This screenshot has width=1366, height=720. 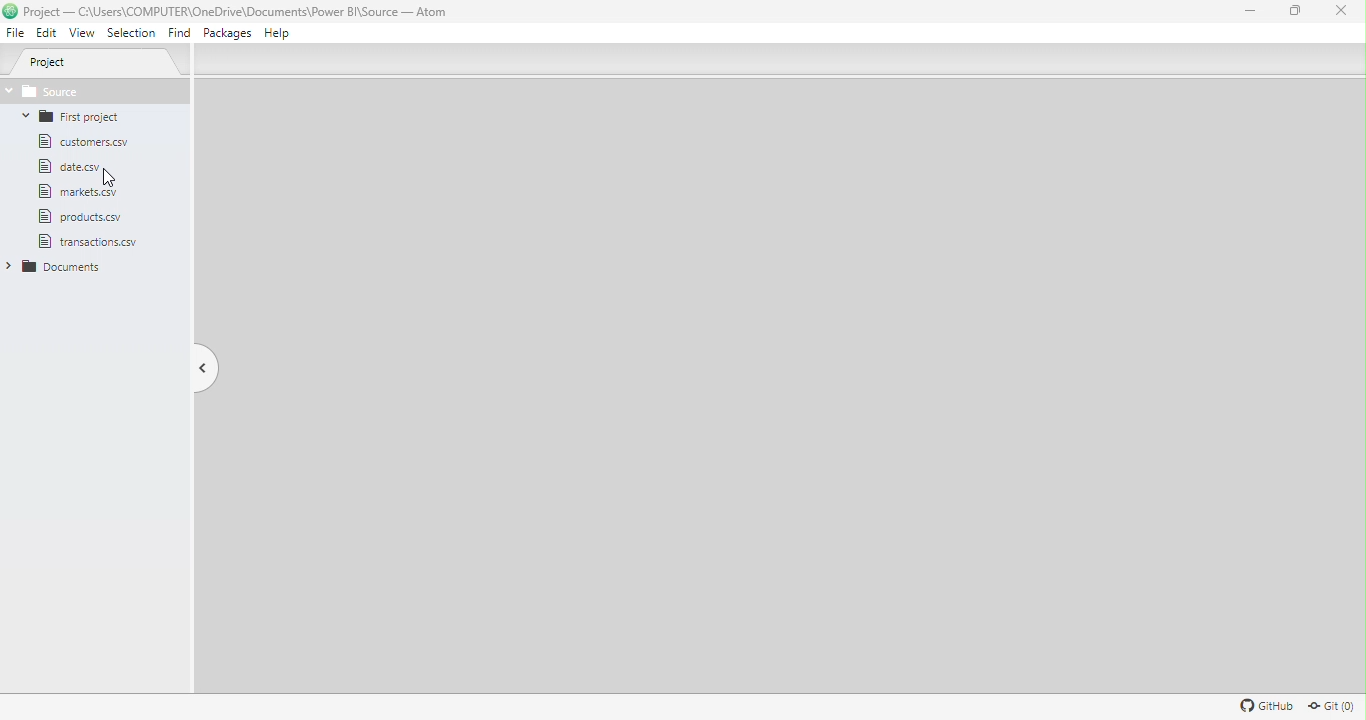 I want to click on file, so click(x=84, y=240).